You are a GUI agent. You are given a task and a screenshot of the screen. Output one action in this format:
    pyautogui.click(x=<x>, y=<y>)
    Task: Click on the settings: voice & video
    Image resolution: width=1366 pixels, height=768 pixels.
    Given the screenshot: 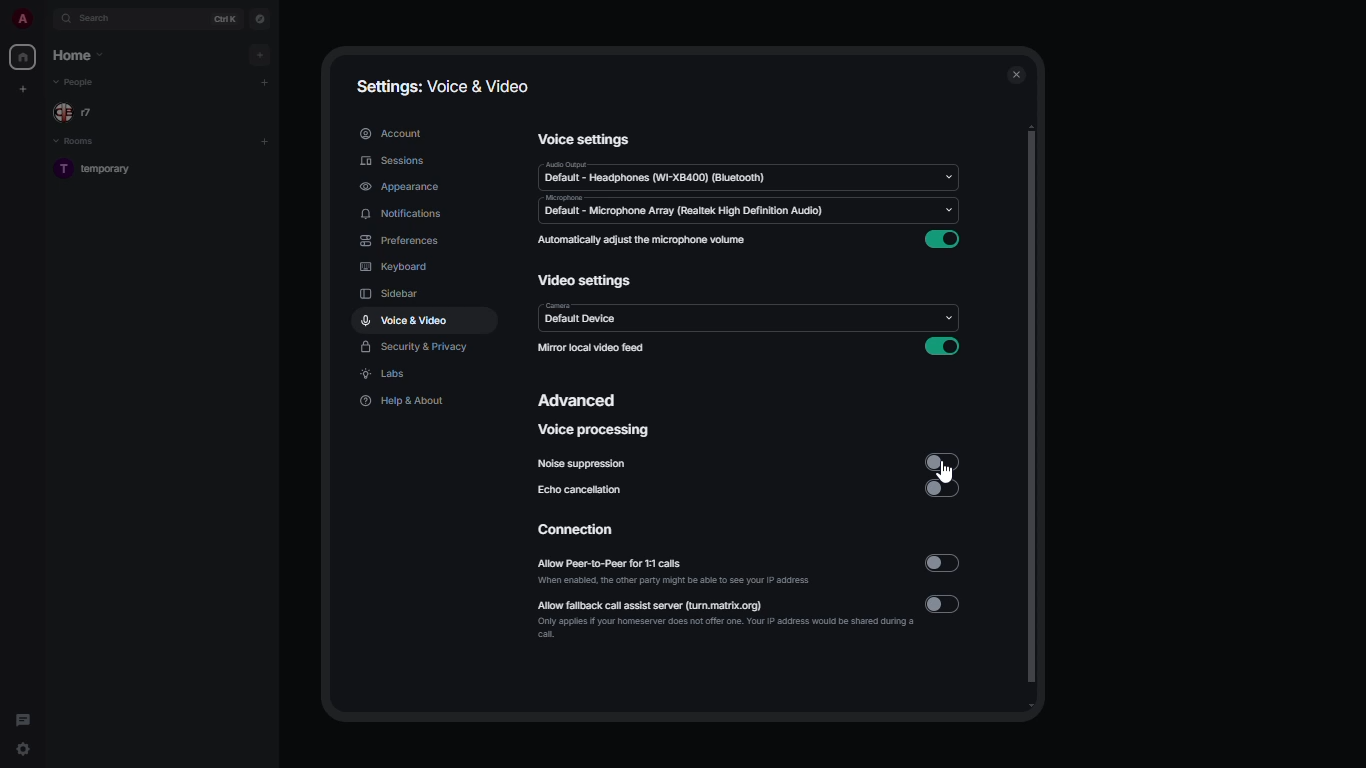 What is the action you would take?
    pyautogui.click(x=442, y=87)
    